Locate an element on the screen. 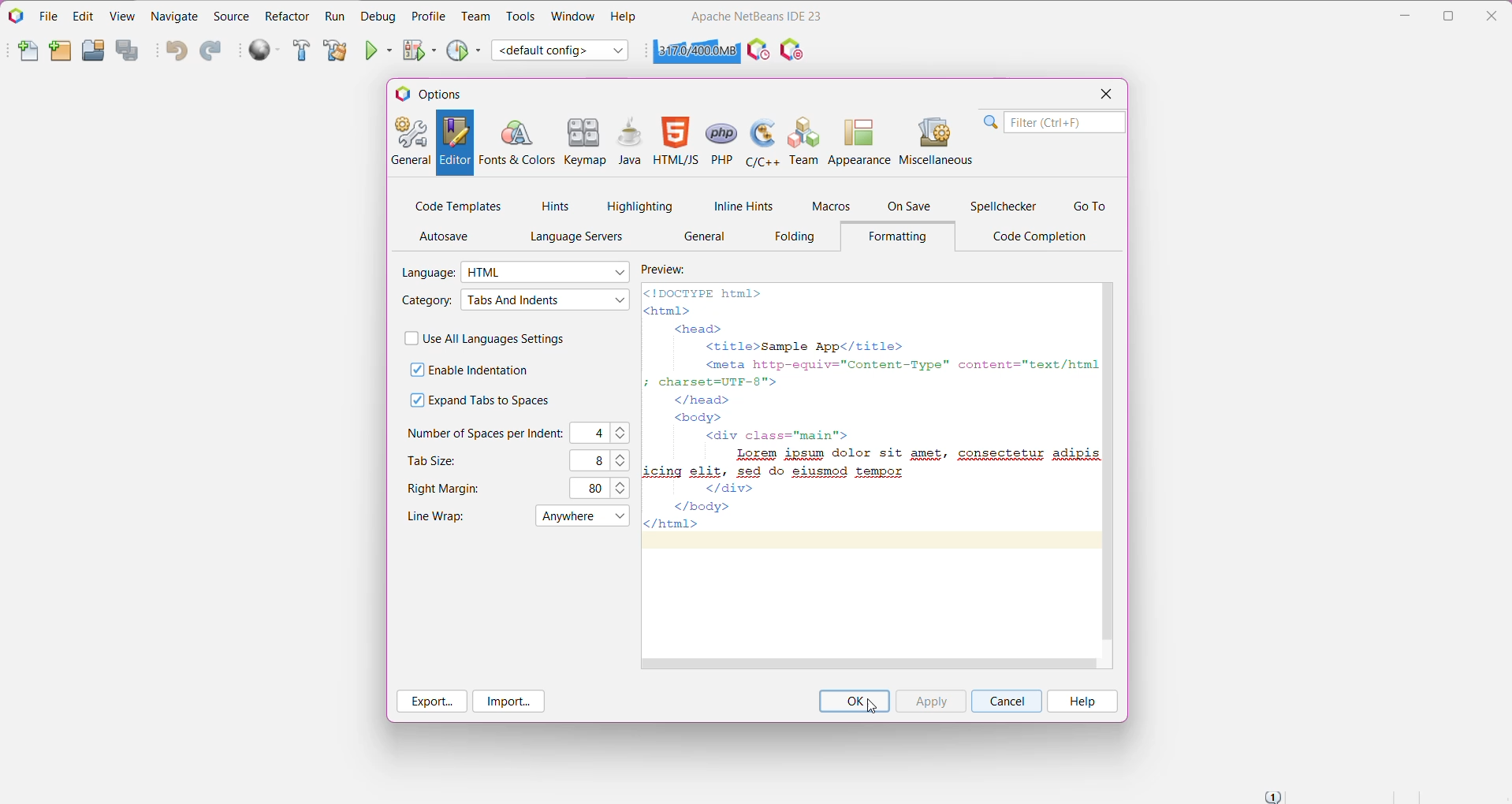 The image size is (1512, 804). <!DOCTYPE html> is located at coordinates (703, 293).